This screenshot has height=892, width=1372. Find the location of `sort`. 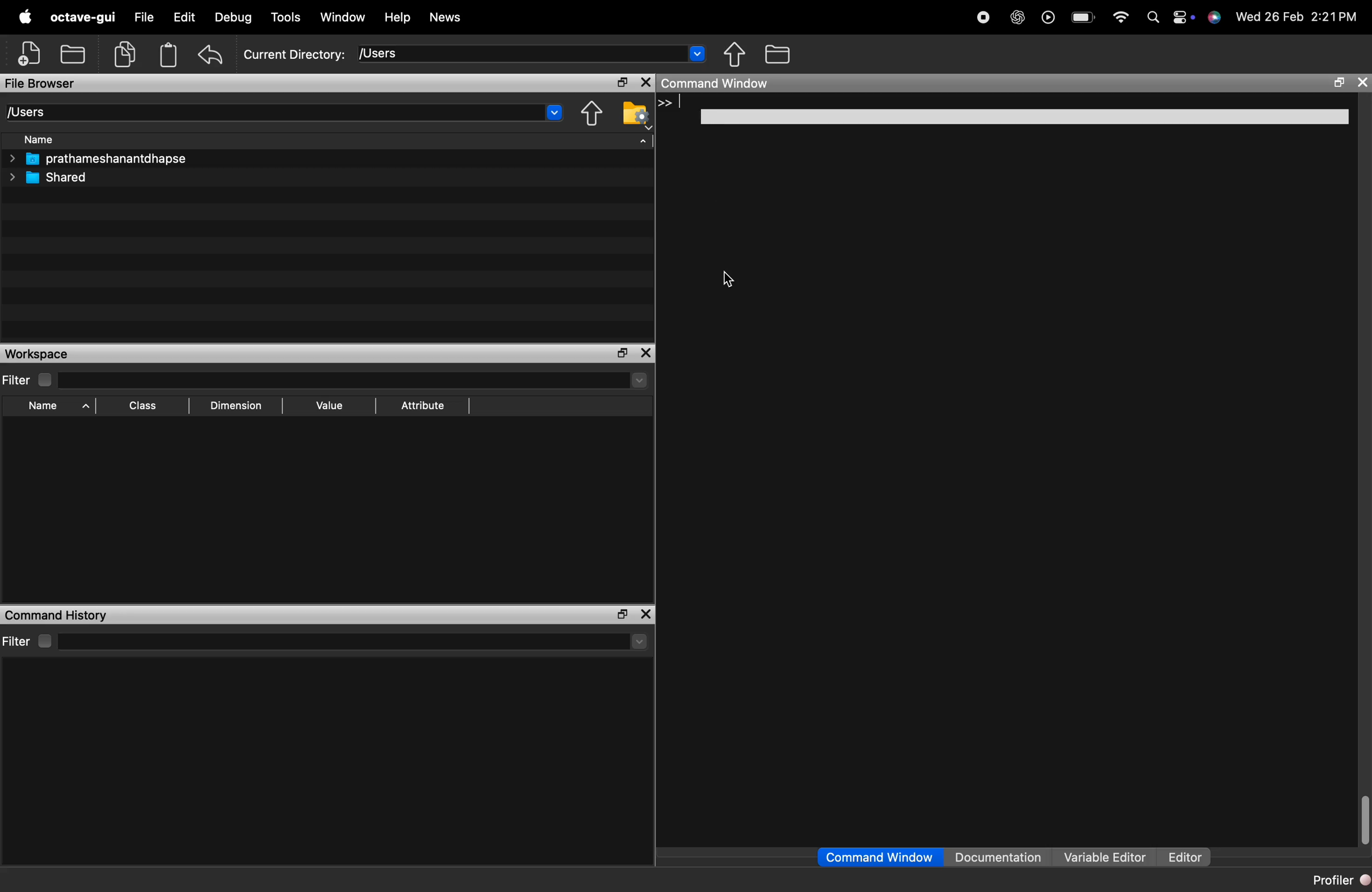

sort is located at coordinates (87, 406).